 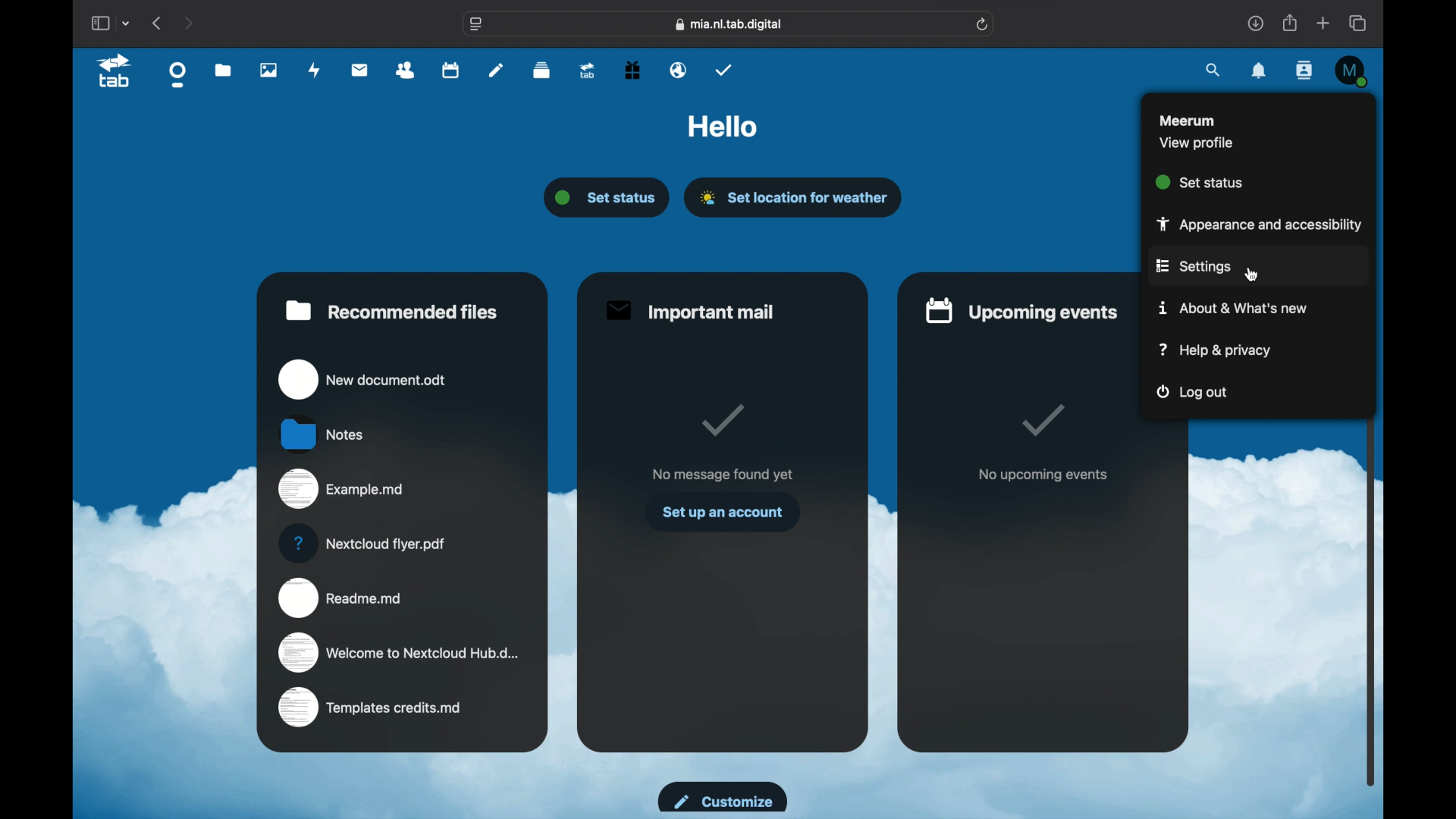 I want to click on welcome, so click(x=397, y=653).